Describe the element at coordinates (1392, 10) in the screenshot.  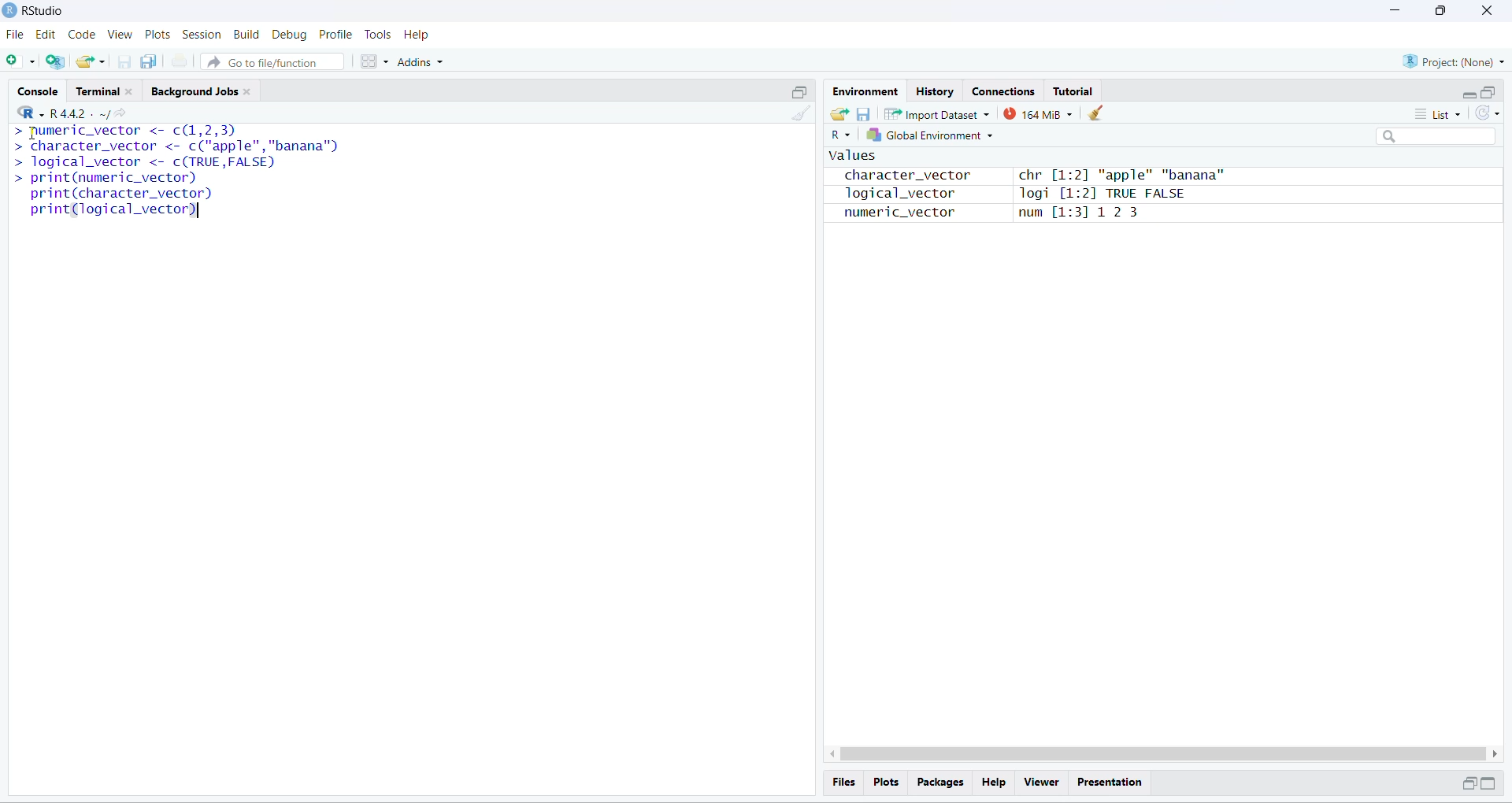
I see `minimize` at that location.